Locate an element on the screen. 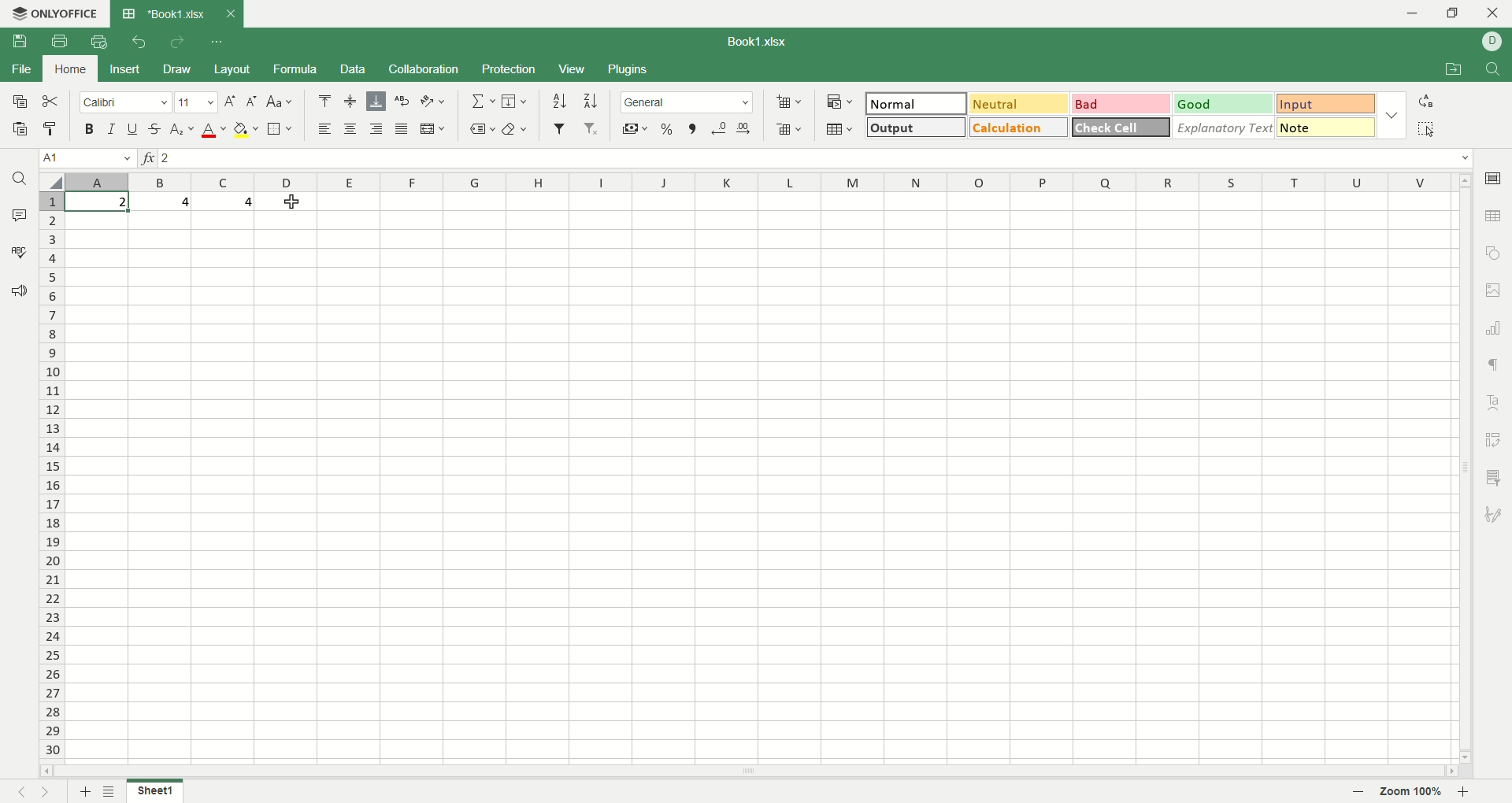  sort descending is located at coordinates (590, 100).